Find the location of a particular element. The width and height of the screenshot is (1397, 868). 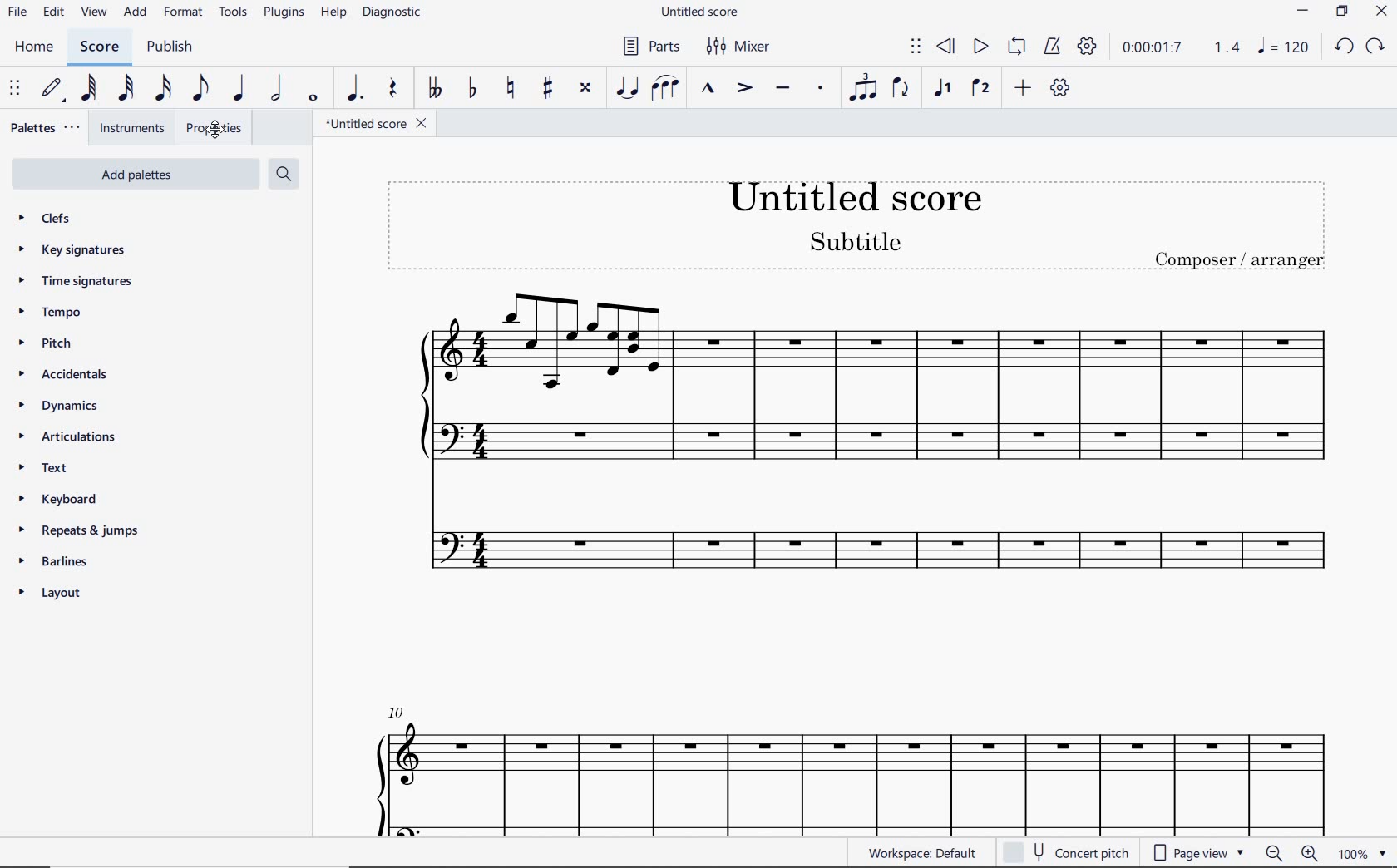

FLIP DIRECTION is located at coordinates (902, 89).